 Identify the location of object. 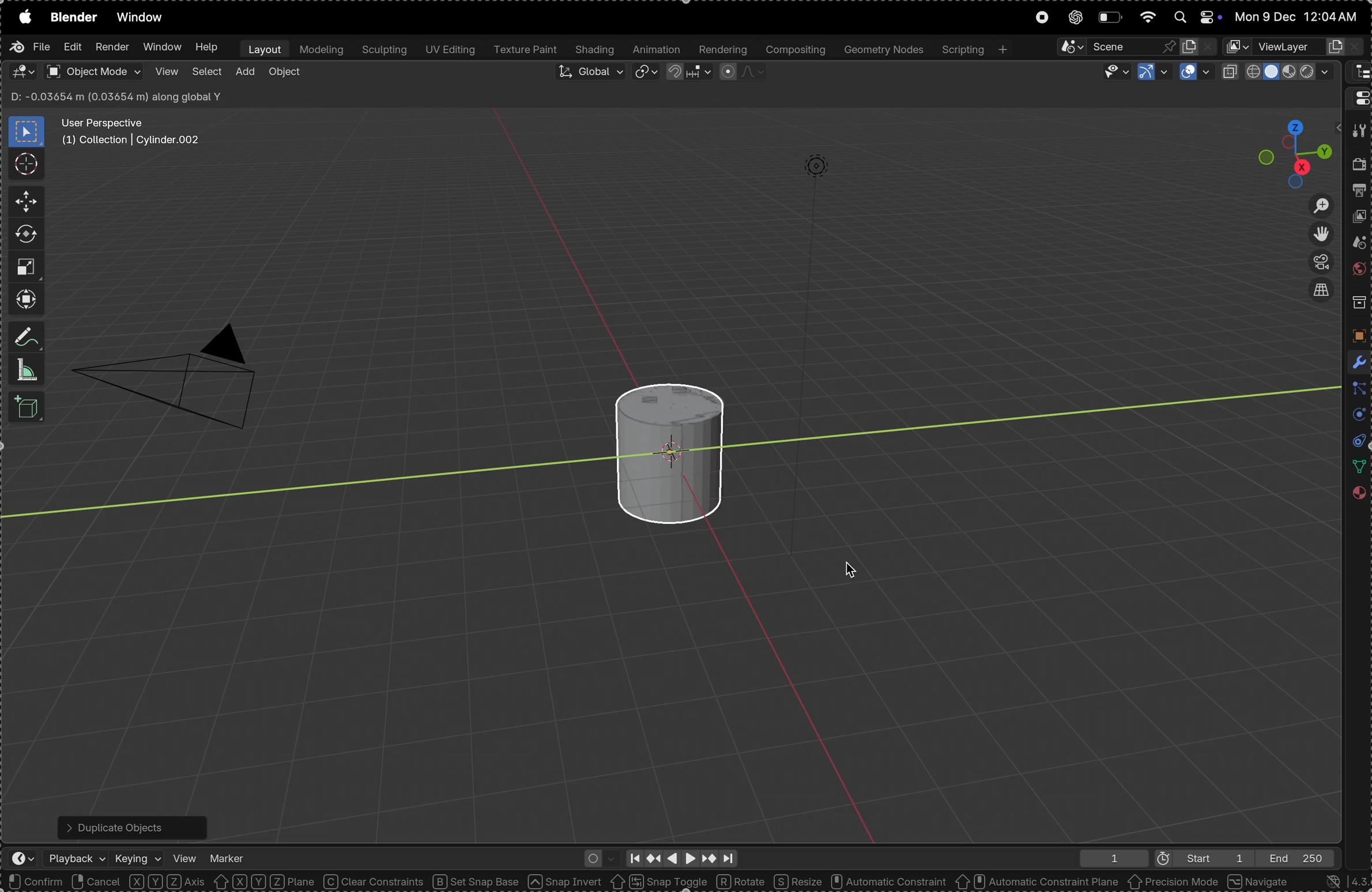
(285, 74).